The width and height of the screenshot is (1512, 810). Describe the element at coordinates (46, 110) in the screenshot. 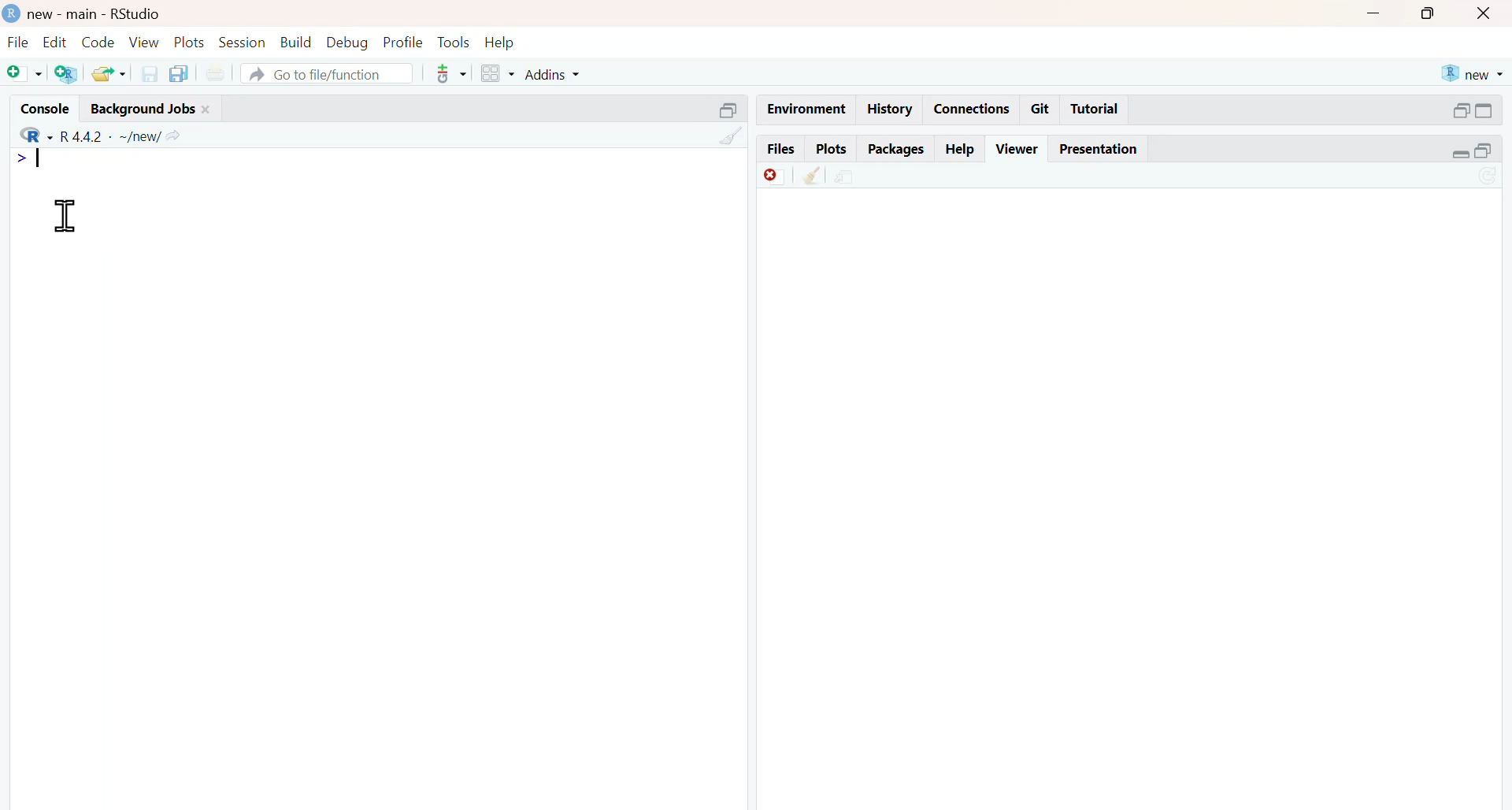

I see `console` at that location.